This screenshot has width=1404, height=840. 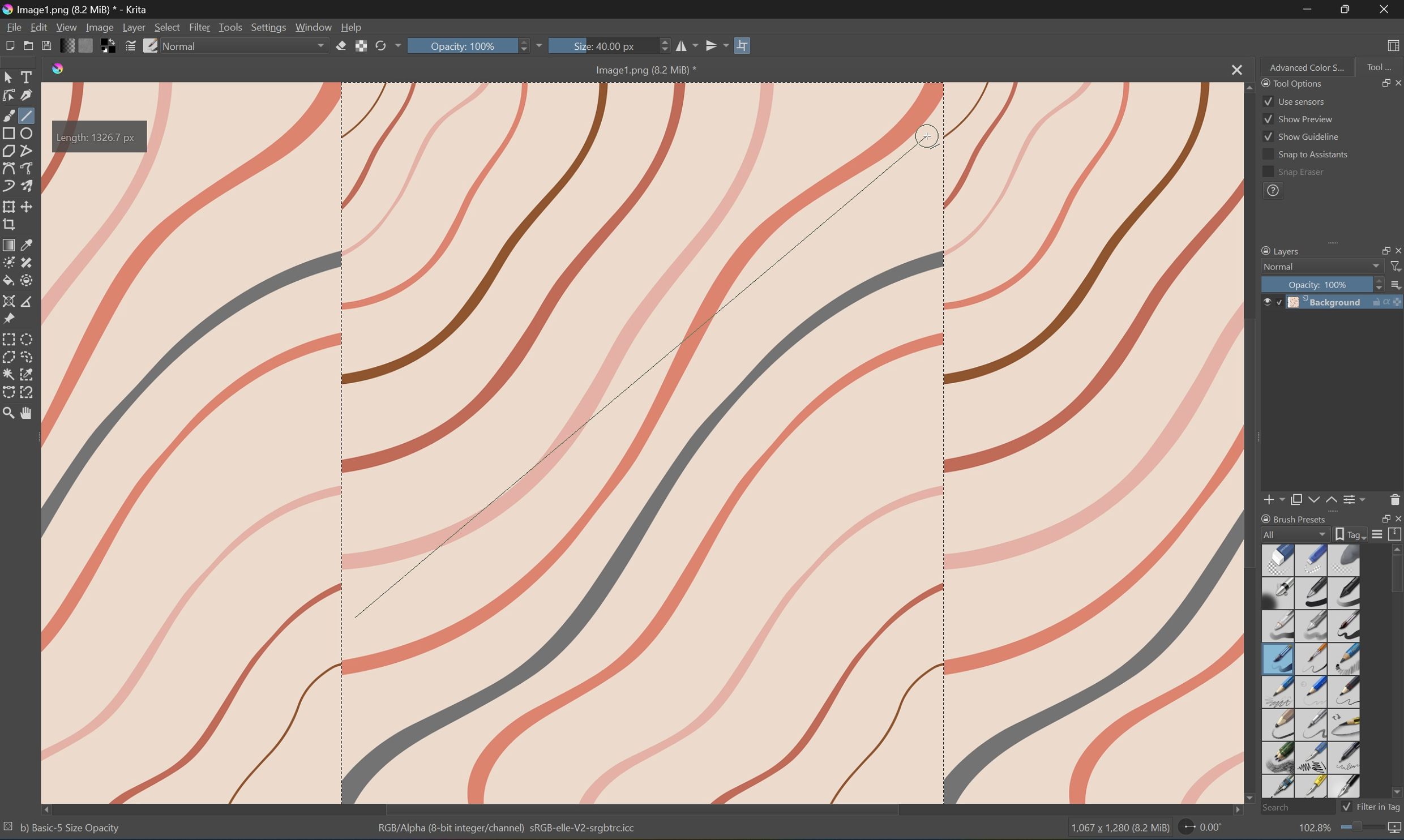 I want to click on Colorize mask tool, so click(x=9, y=262).